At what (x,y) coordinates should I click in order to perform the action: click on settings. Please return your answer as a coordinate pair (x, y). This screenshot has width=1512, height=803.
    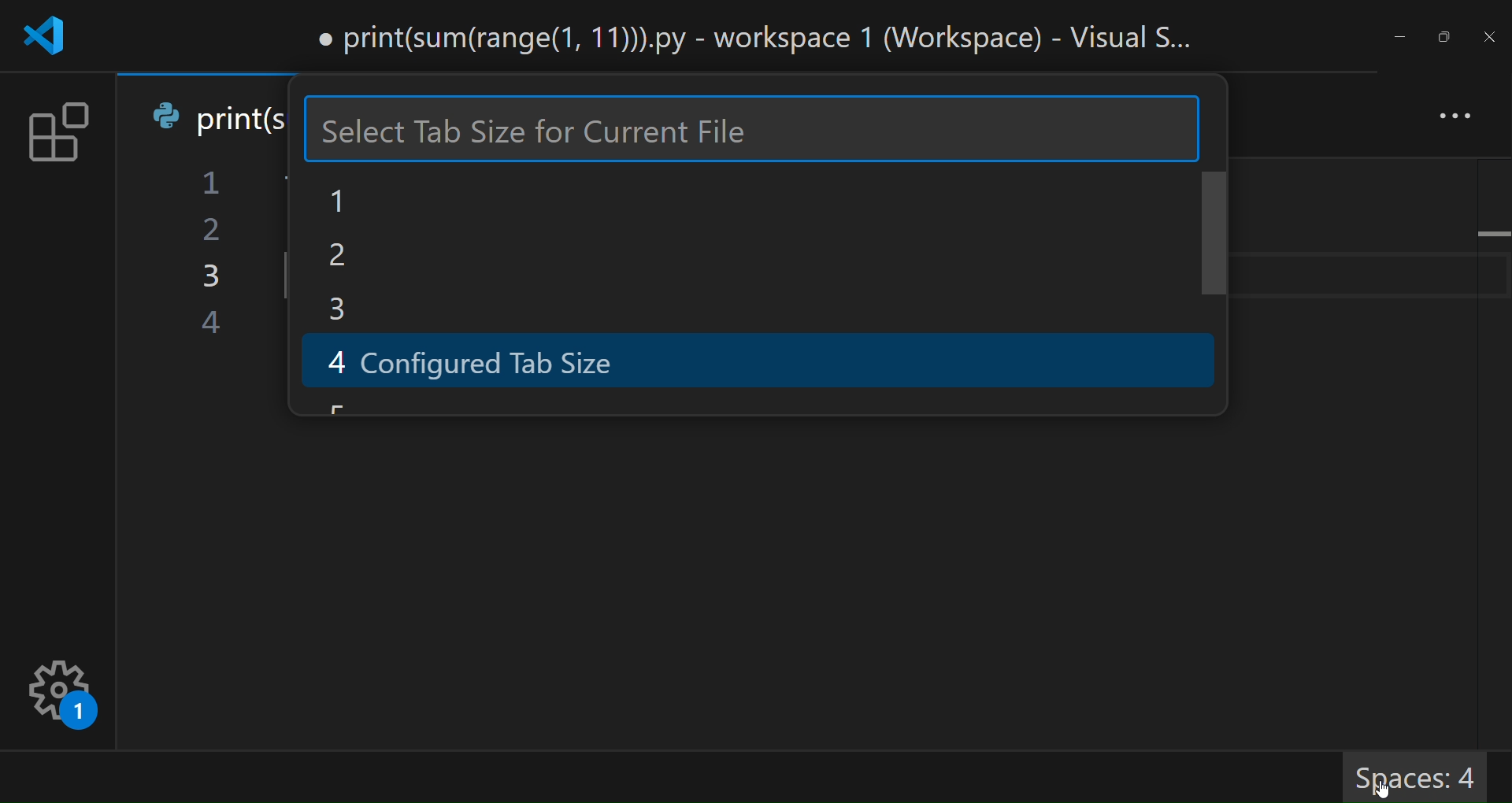
    Looking at the image, I should click on (61, 697).